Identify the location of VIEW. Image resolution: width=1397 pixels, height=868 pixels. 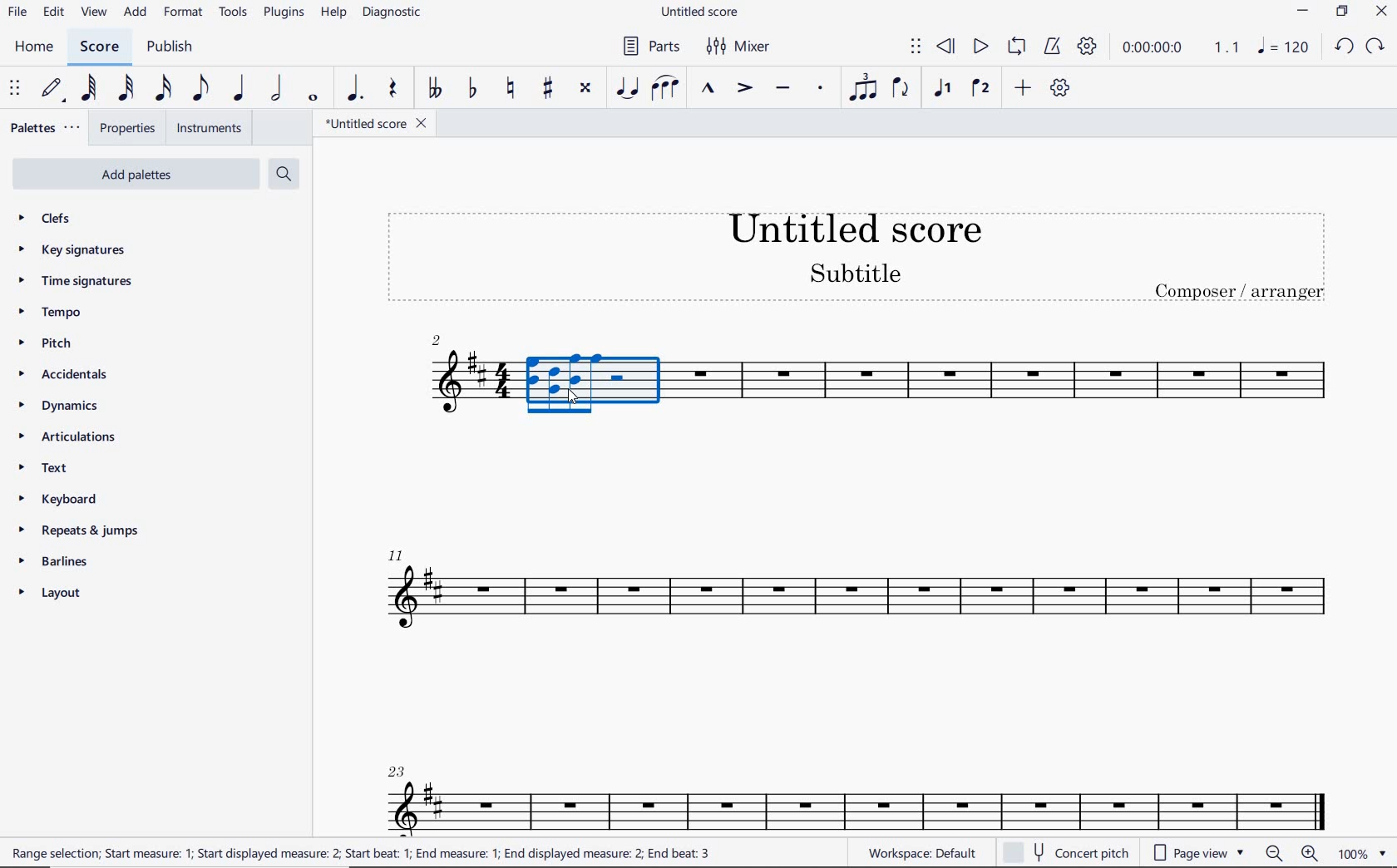
(94, 13).